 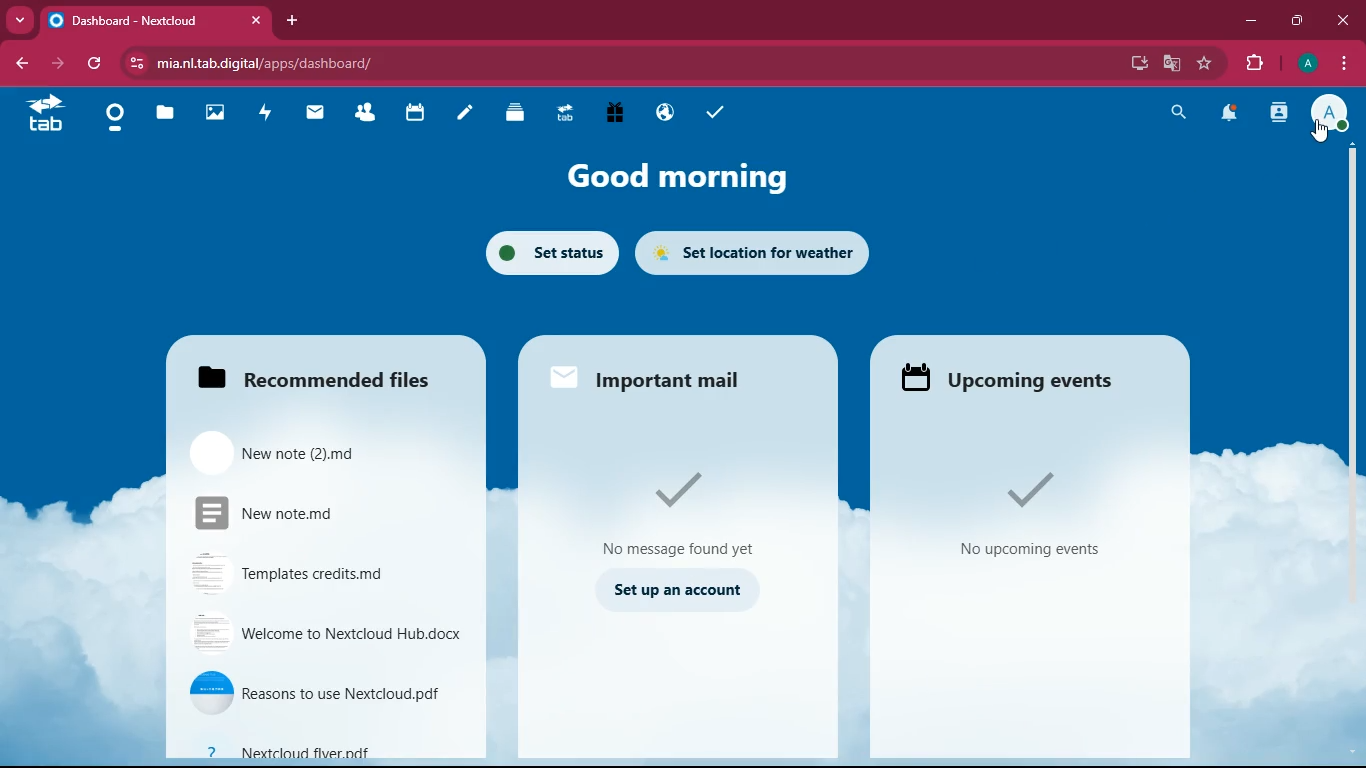 I want to click on close, so click(x=1344, y=21).